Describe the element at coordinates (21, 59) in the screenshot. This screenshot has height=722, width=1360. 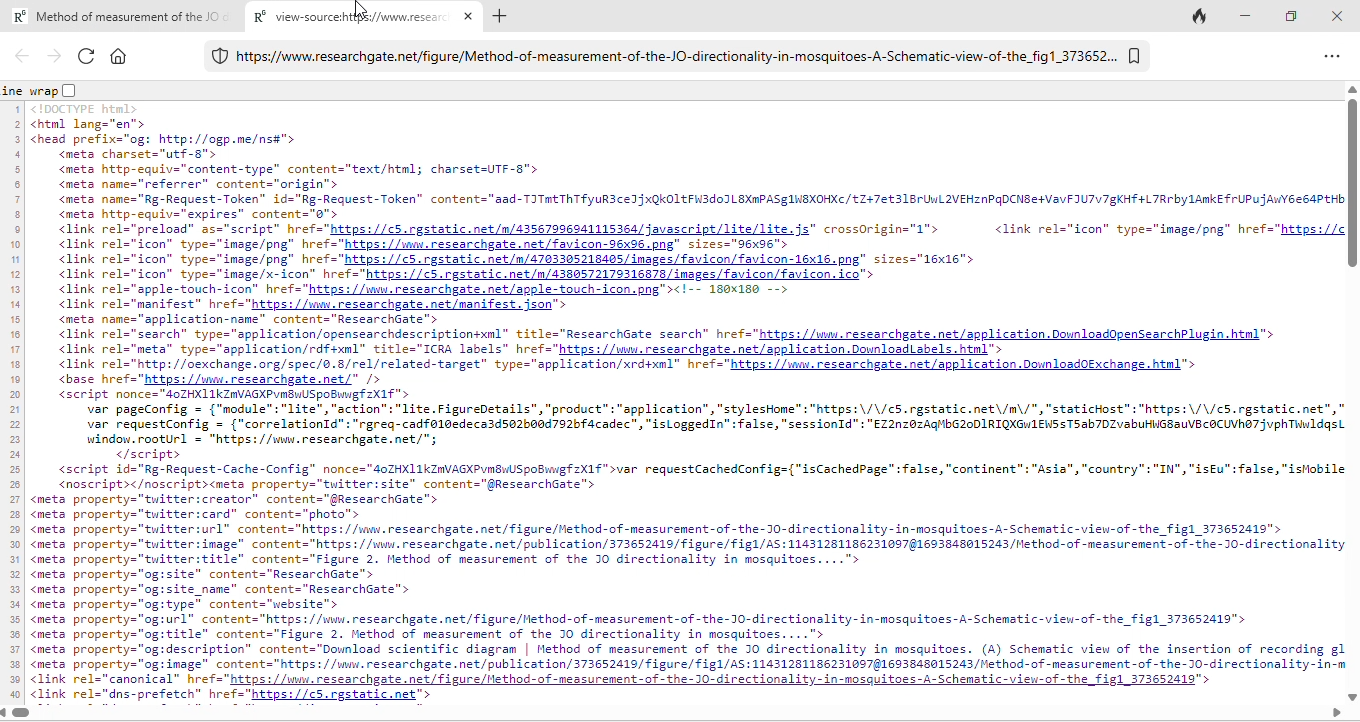
I see `back` at that location.